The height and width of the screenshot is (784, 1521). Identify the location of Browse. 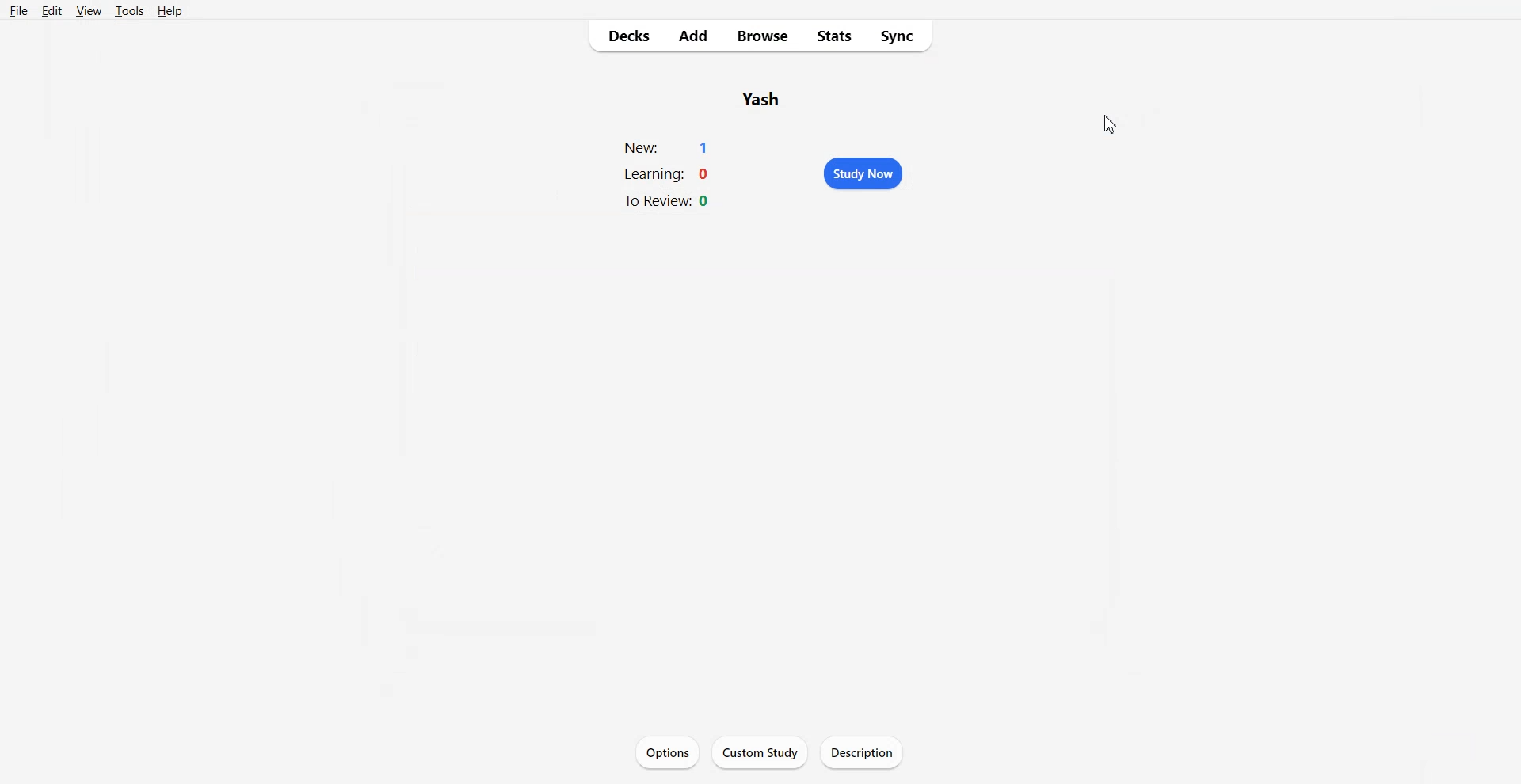
(763, 38).